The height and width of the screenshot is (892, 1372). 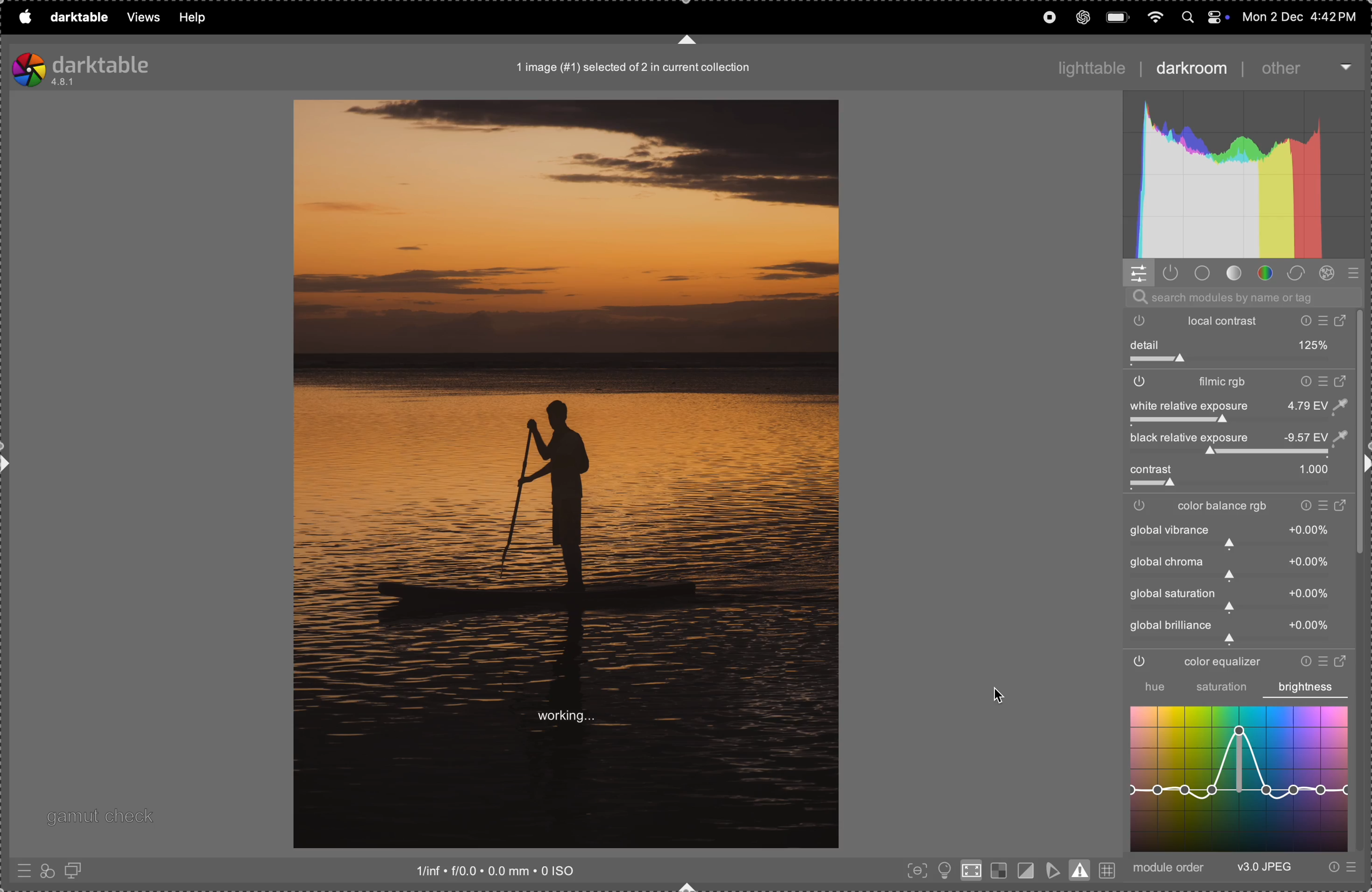 What do you see at coordinates (1299, 68) in the screenshot?
I see `other` at bounding box center [1299, 68].